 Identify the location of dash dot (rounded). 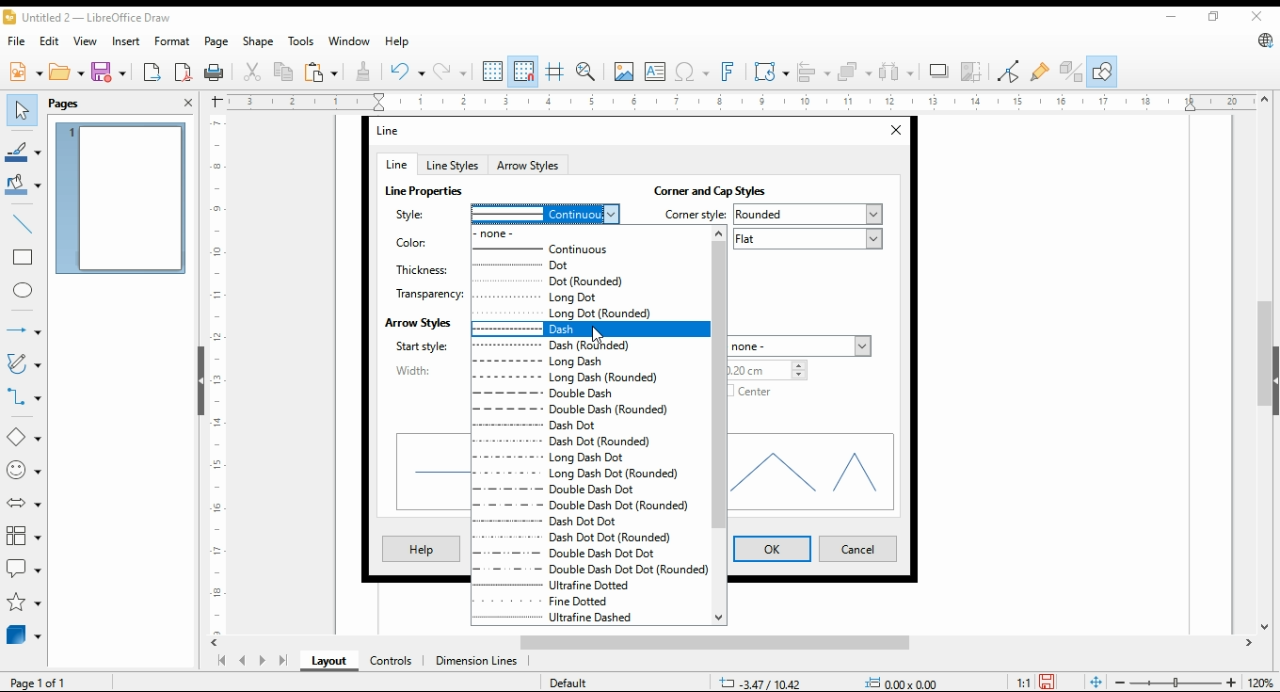
(576, 442).